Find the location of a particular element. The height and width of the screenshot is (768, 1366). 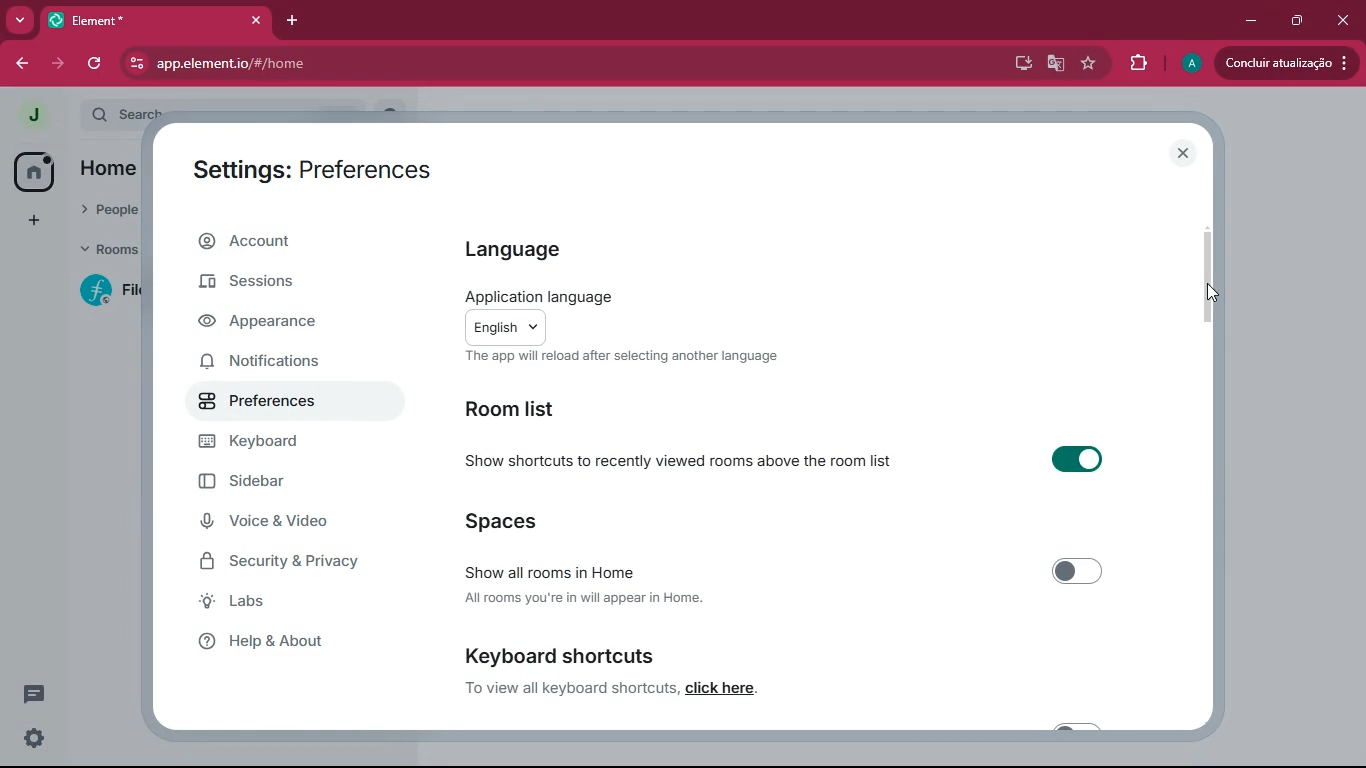

Show all rooms in Home
All rooms you're in will appear in Home. is located at coordinates (779, 580).